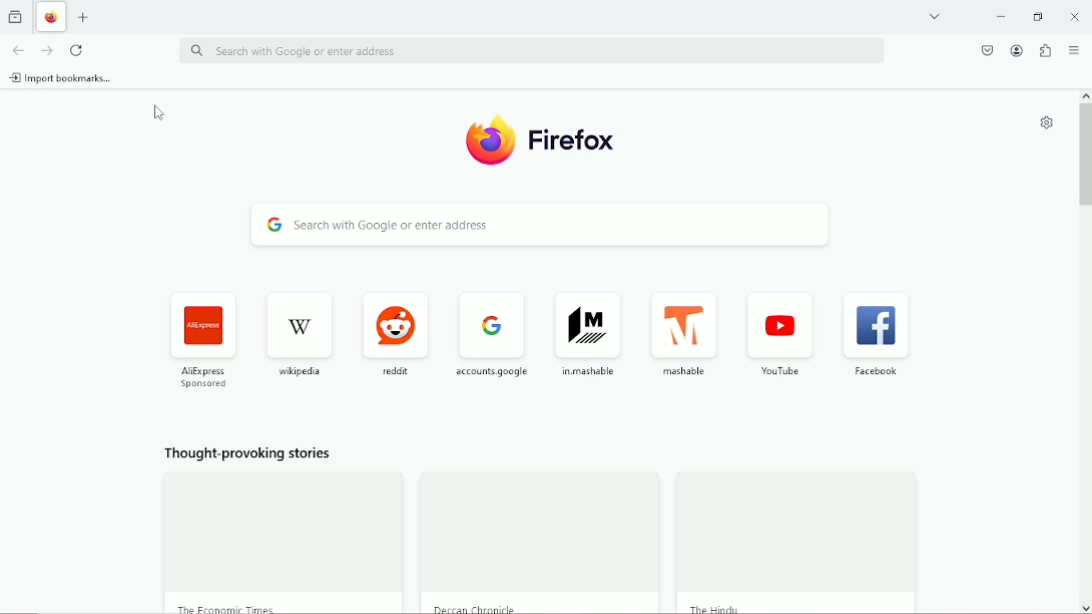 The height and width of the screenshot is (614, 1092). What do you see at coordinates (53, 18) in the screenshot?
I see `pinned tab` at bounding box center [53, 18].